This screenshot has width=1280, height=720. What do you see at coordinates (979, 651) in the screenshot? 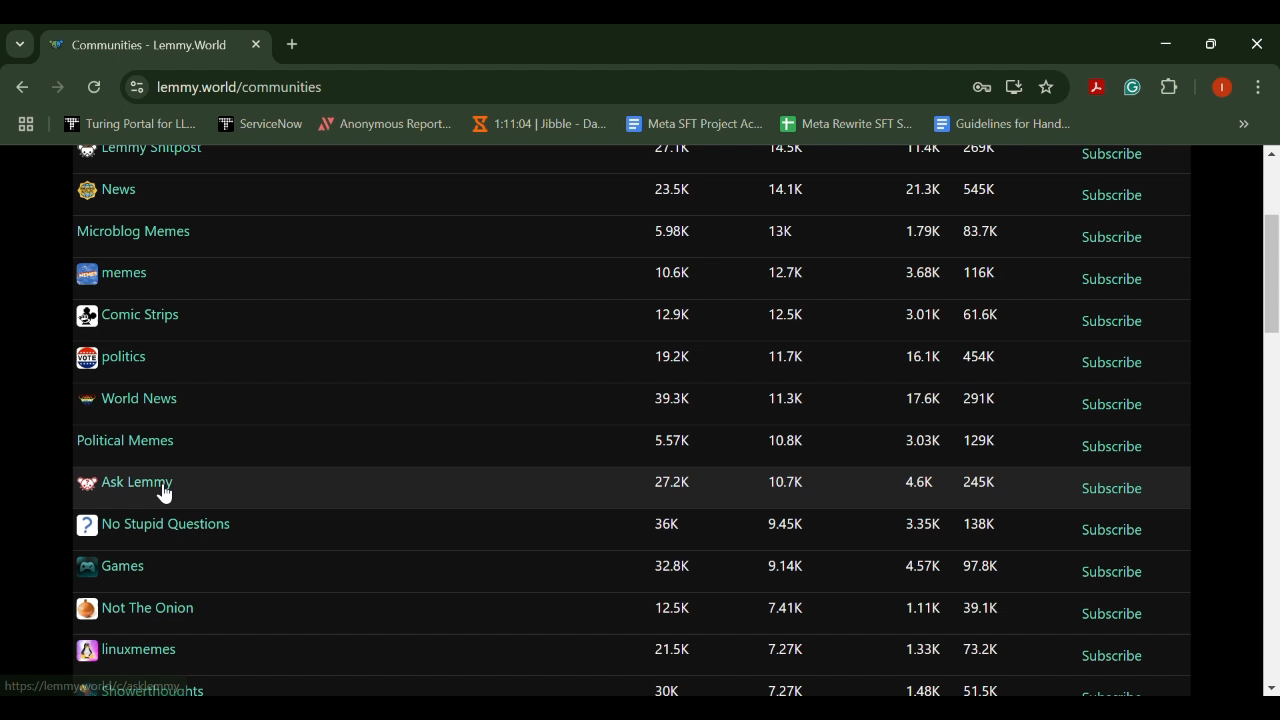
I see `73.2` at bounding box center [979, 651].